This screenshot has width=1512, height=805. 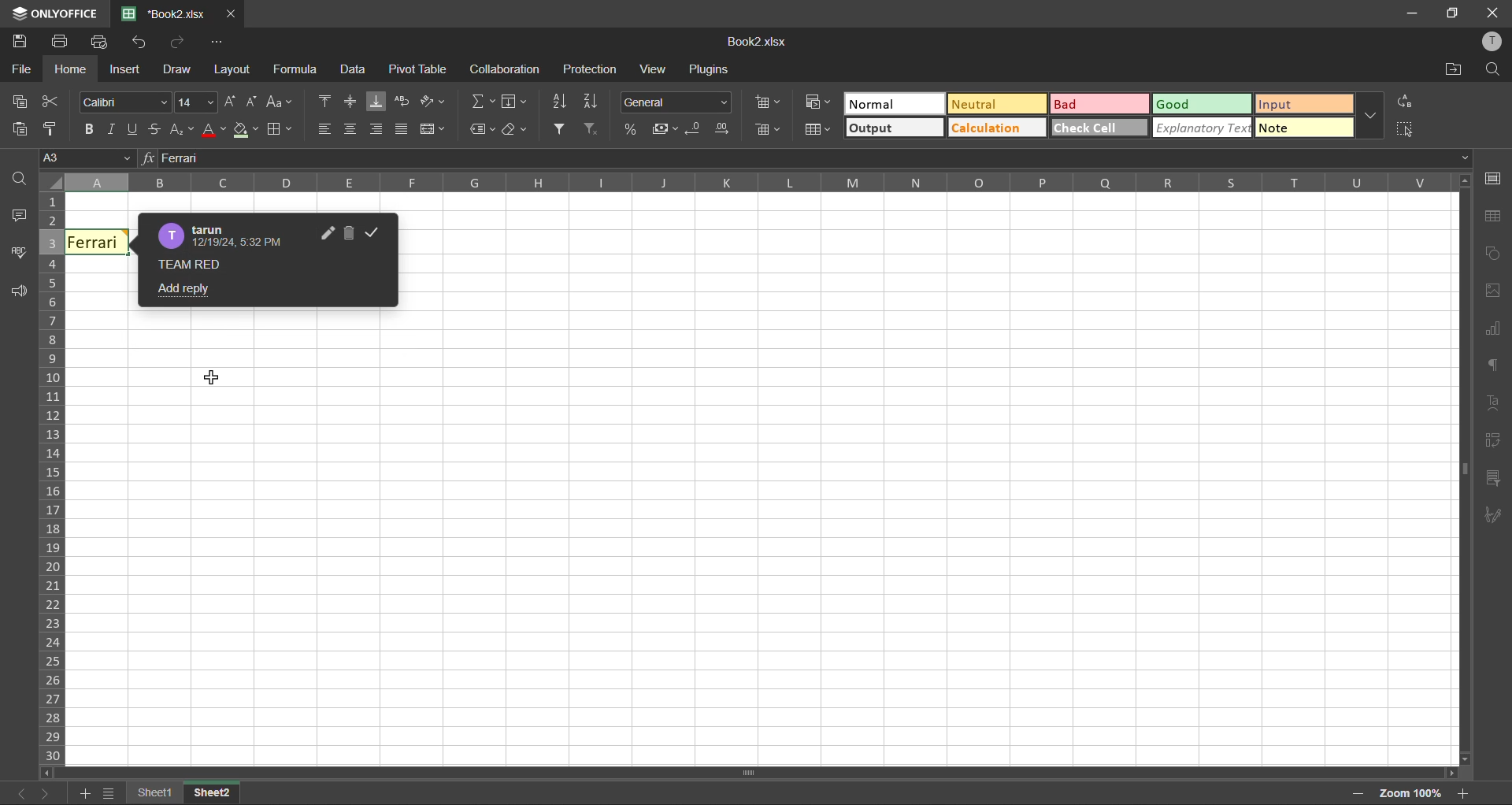 I want to click on protection, so click(x=589, y=67).